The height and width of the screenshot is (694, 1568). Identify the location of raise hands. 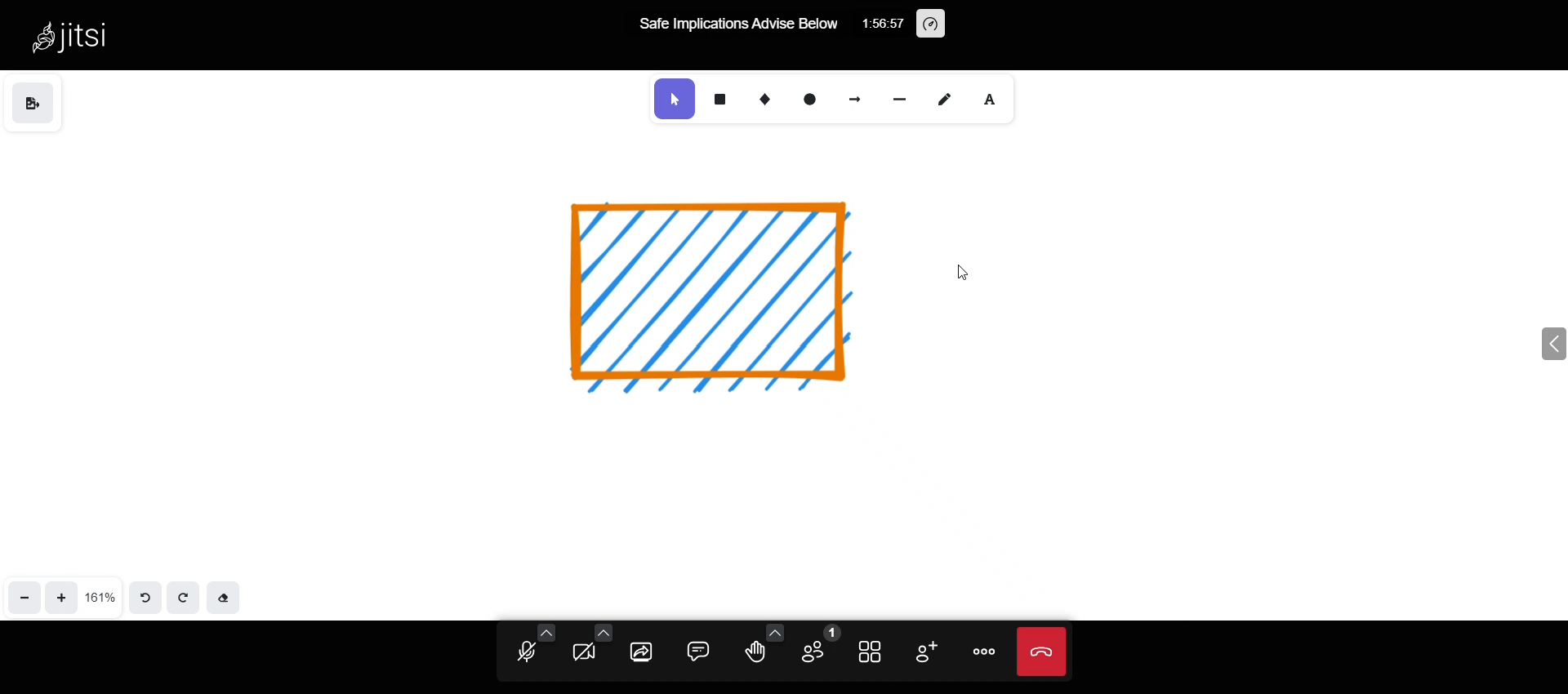
(755, 654).